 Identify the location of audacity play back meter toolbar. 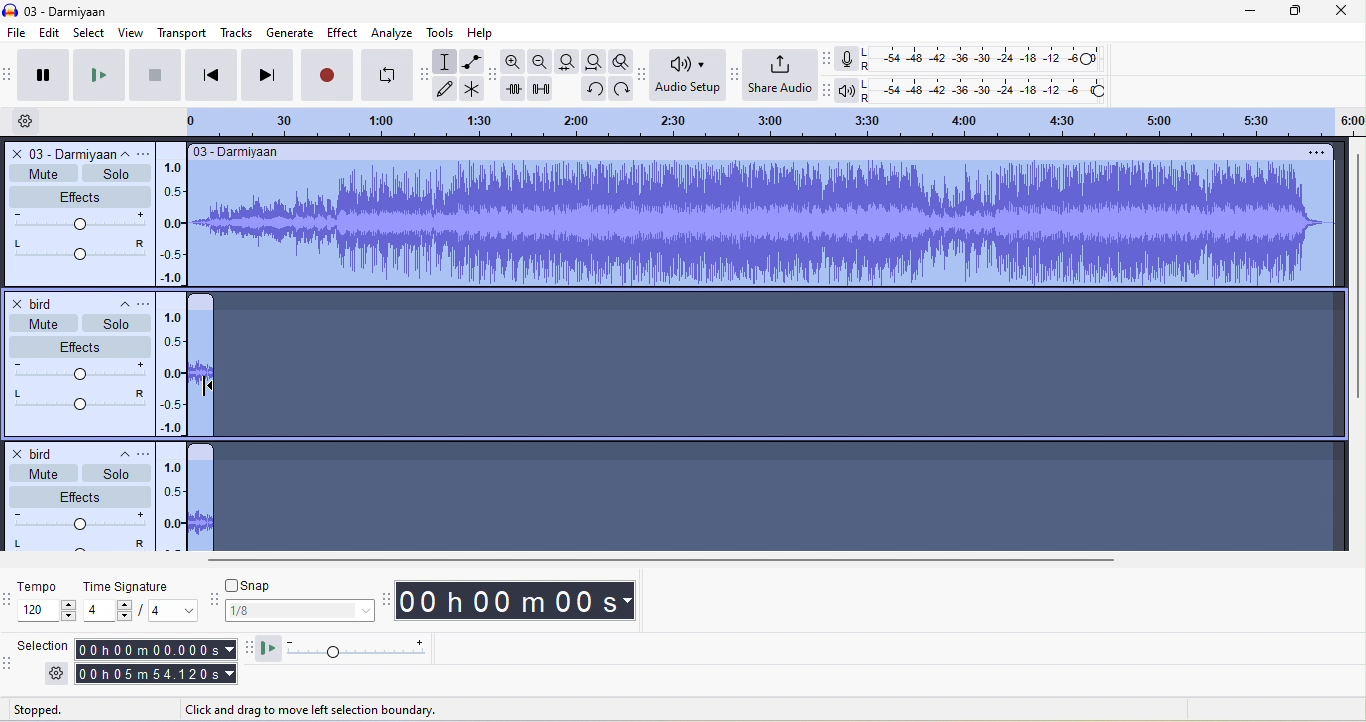
(828, 90).